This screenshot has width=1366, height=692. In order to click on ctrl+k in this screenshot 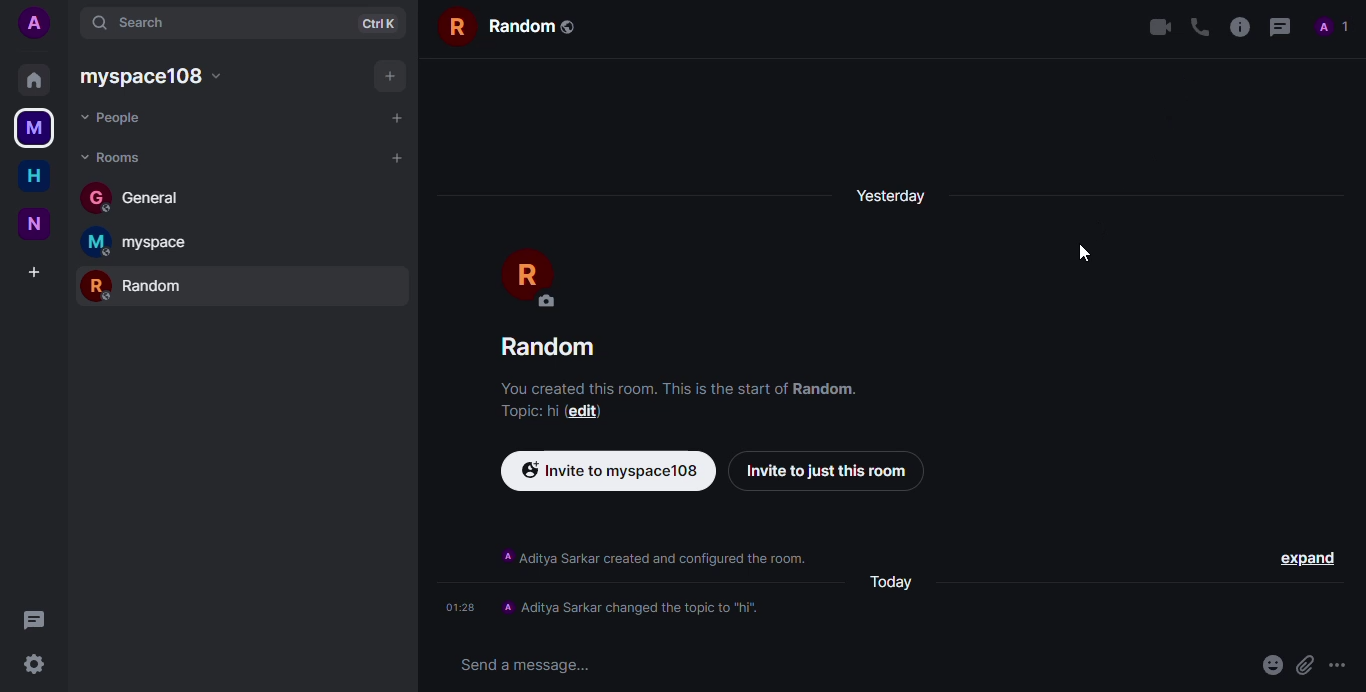, I will do `click(377, 21)`.